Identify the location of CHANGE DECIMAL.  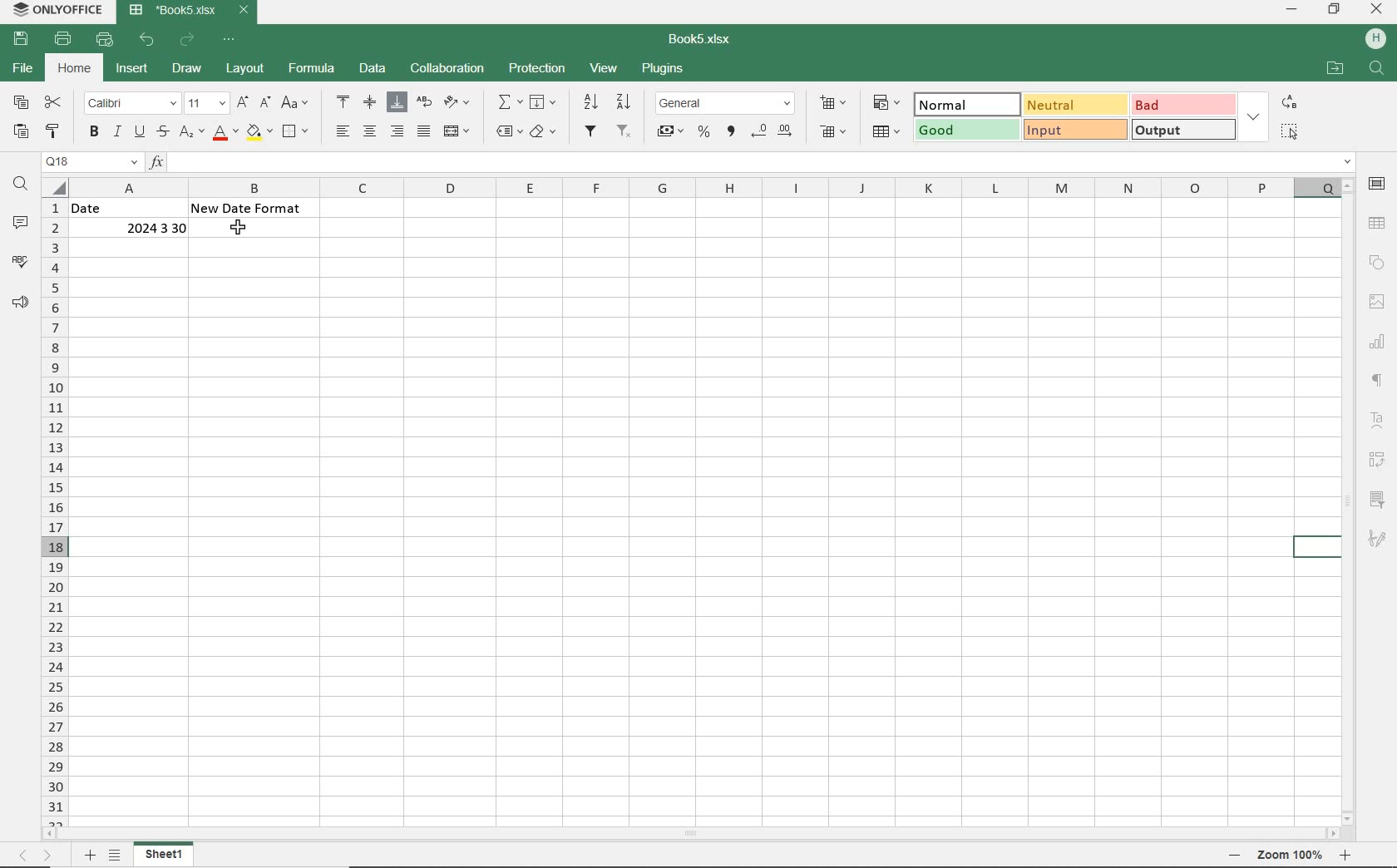
(775, 131).